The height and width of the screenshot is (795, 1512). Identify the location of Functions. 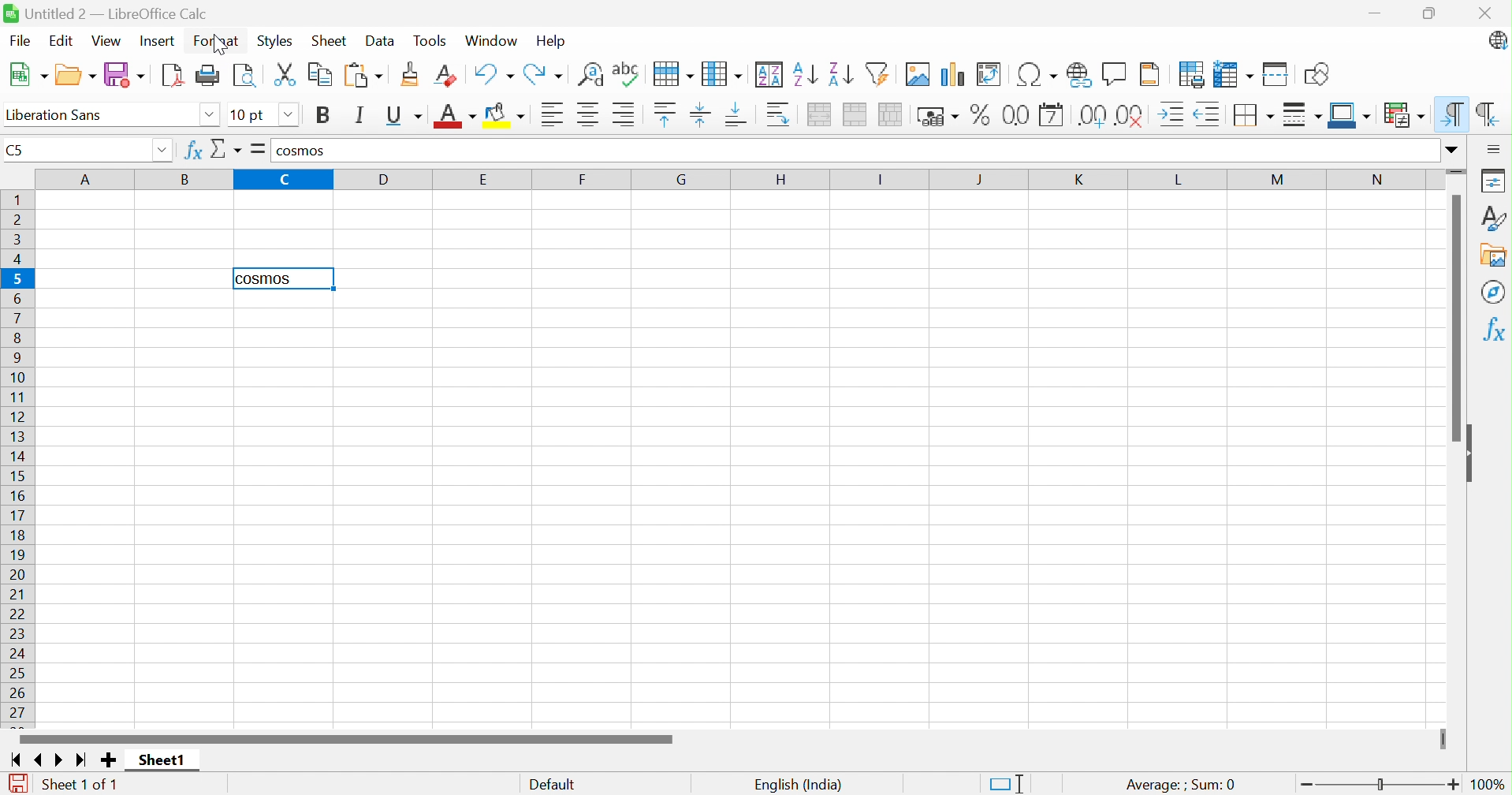
(1495, 327).